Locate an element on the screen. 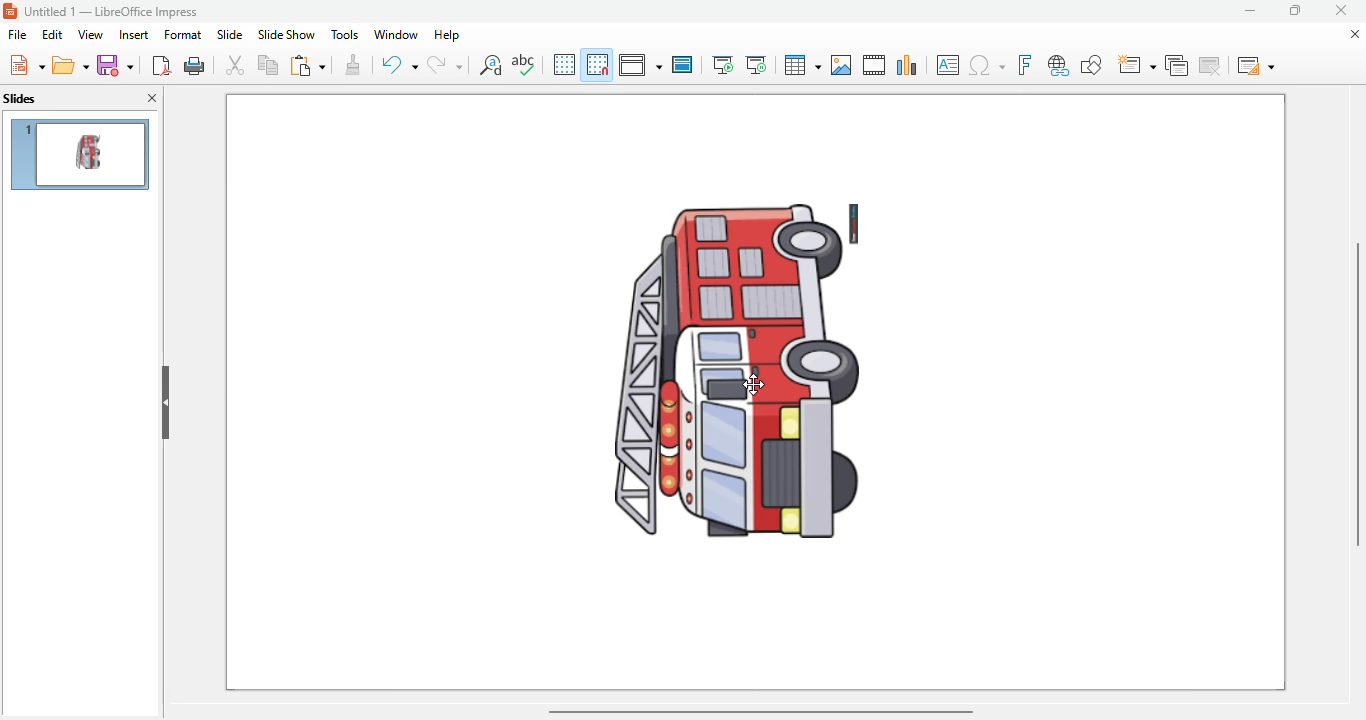 This screenshot has height=720, width=1366. close pane is located at coordinates (152, 97).